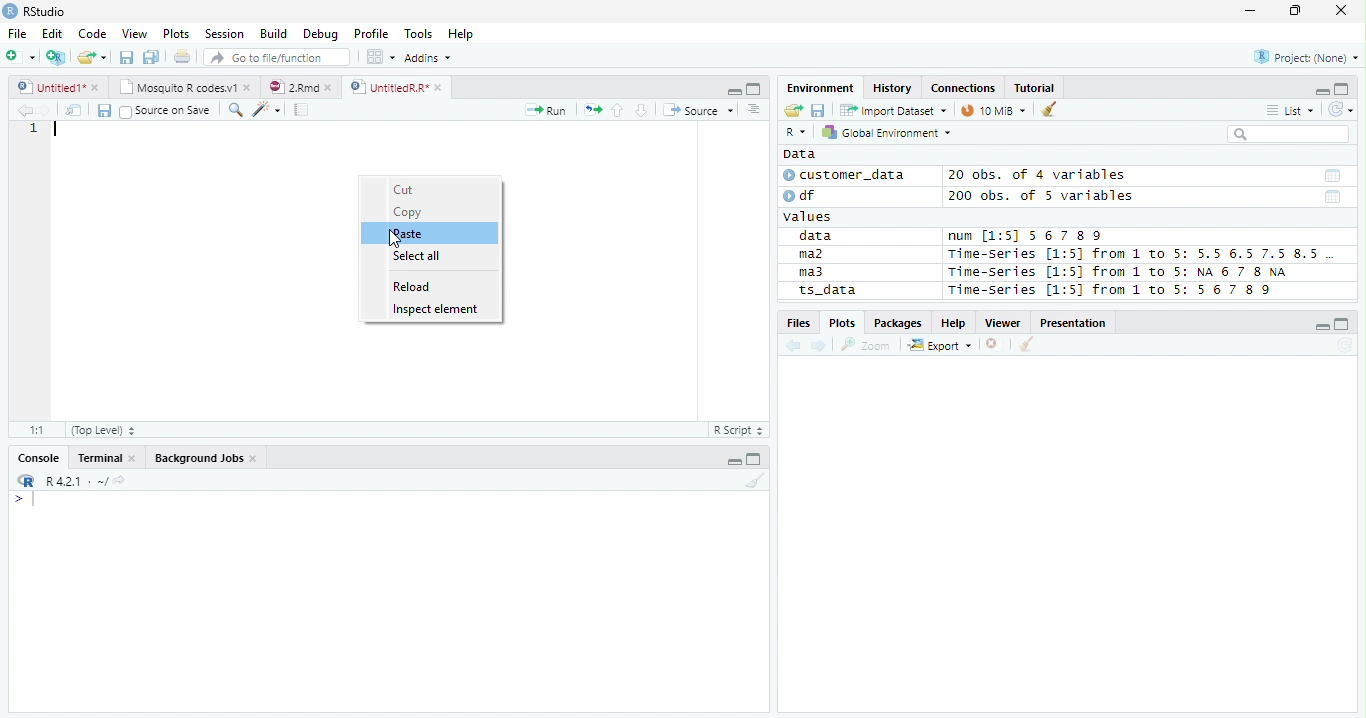 The image size is (1366, 718). Describe the element at coordinates (22, 110) in the screenshot. I see `Previous` at that location.